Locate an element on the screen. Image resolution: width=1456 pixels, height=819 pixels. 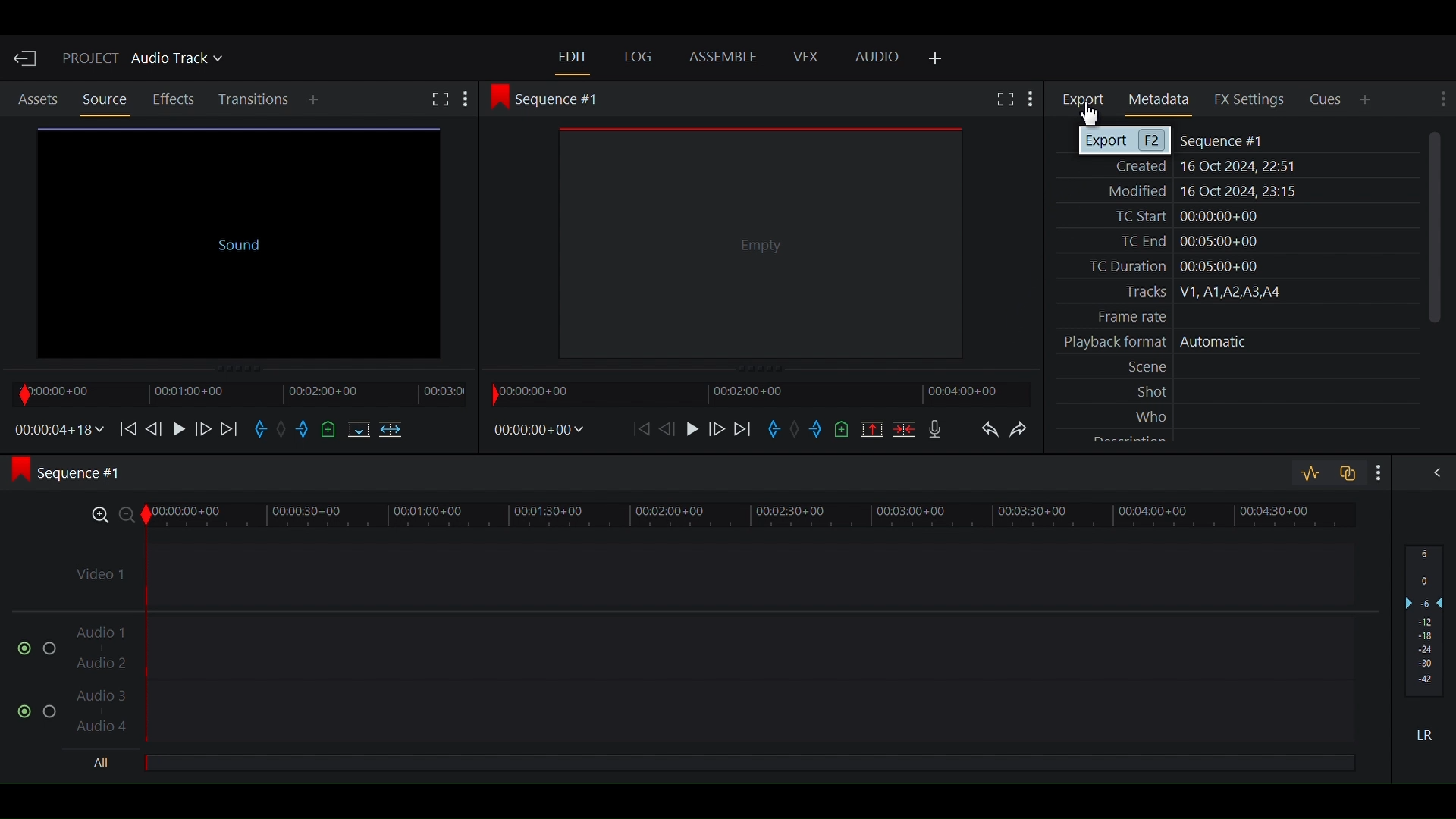
Insert into the target sequence is located at coordinates (393, 431).